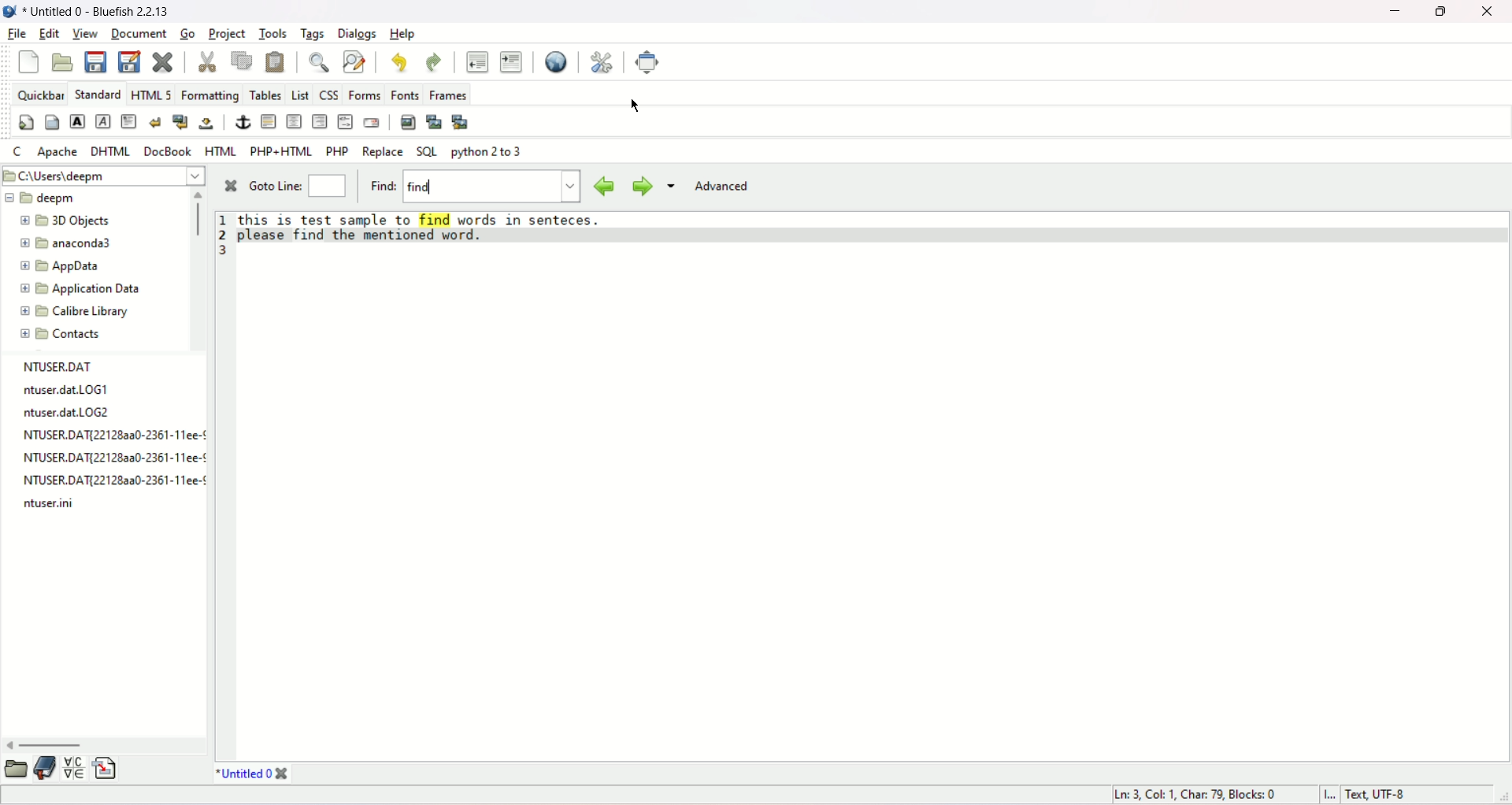  I want to click on open, so click(65, 64).